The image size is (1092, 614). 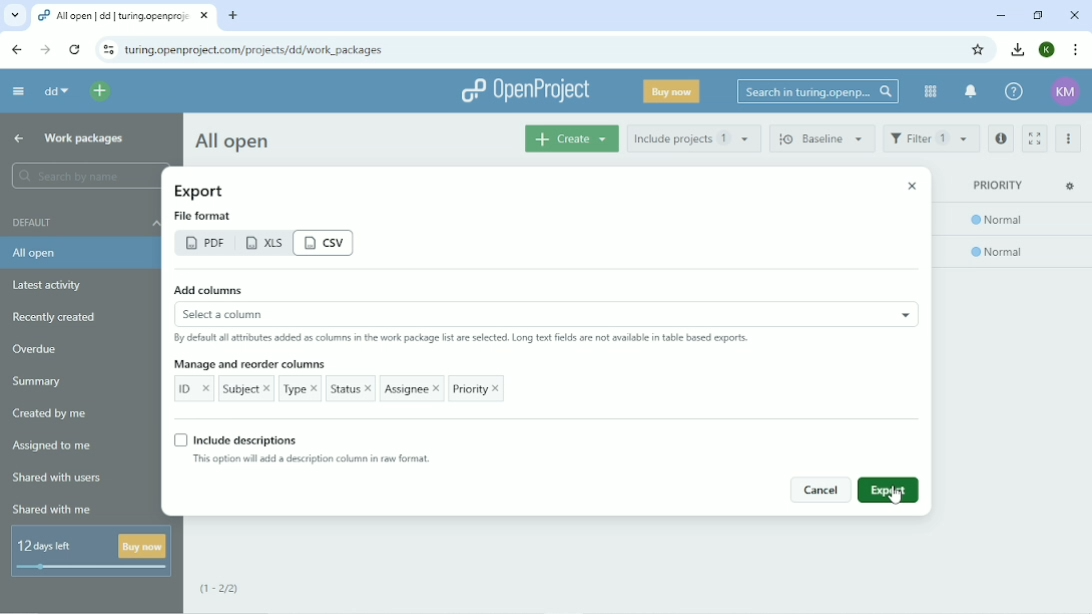 What do you see at coordinates (931, 138) in the screenshot?
I see `Filter 1` at bounding box center [931, 138].